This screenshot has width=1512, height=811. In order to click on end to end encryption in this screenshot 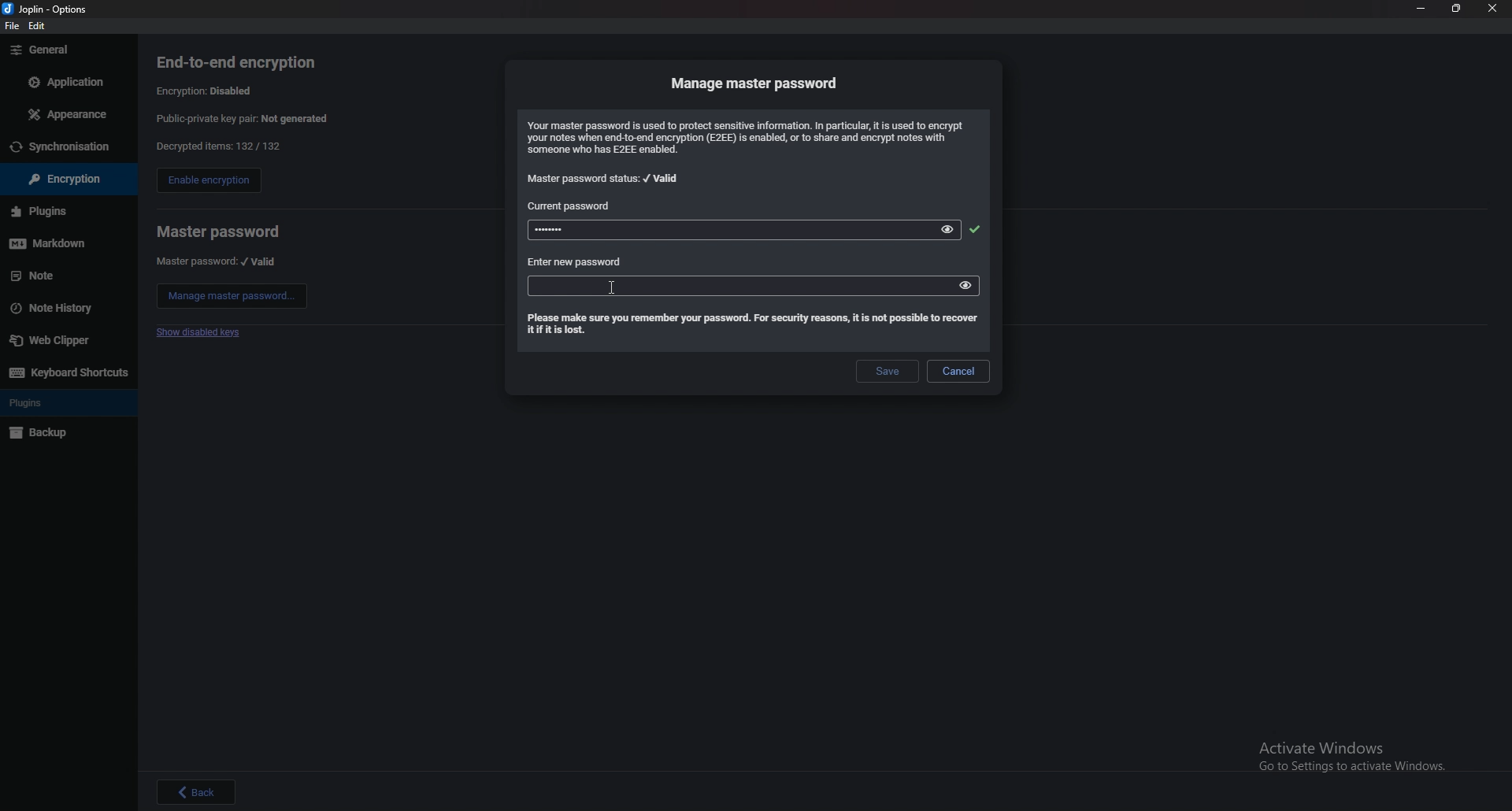, I will do `click(248, 62)`.